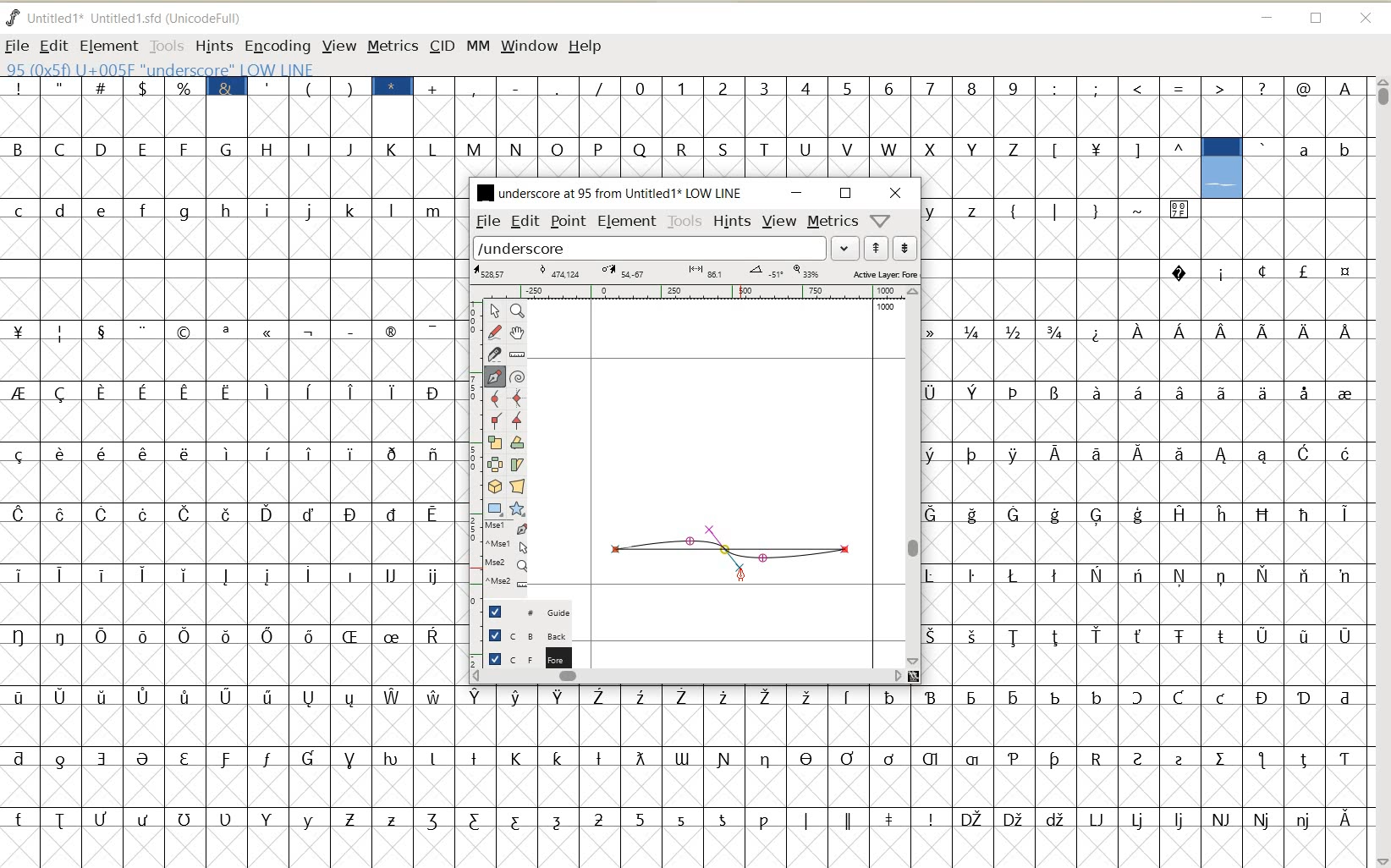  Describe the element at coordinates (1367, 19) in the screenshot. I see `CLOSE` at that location.